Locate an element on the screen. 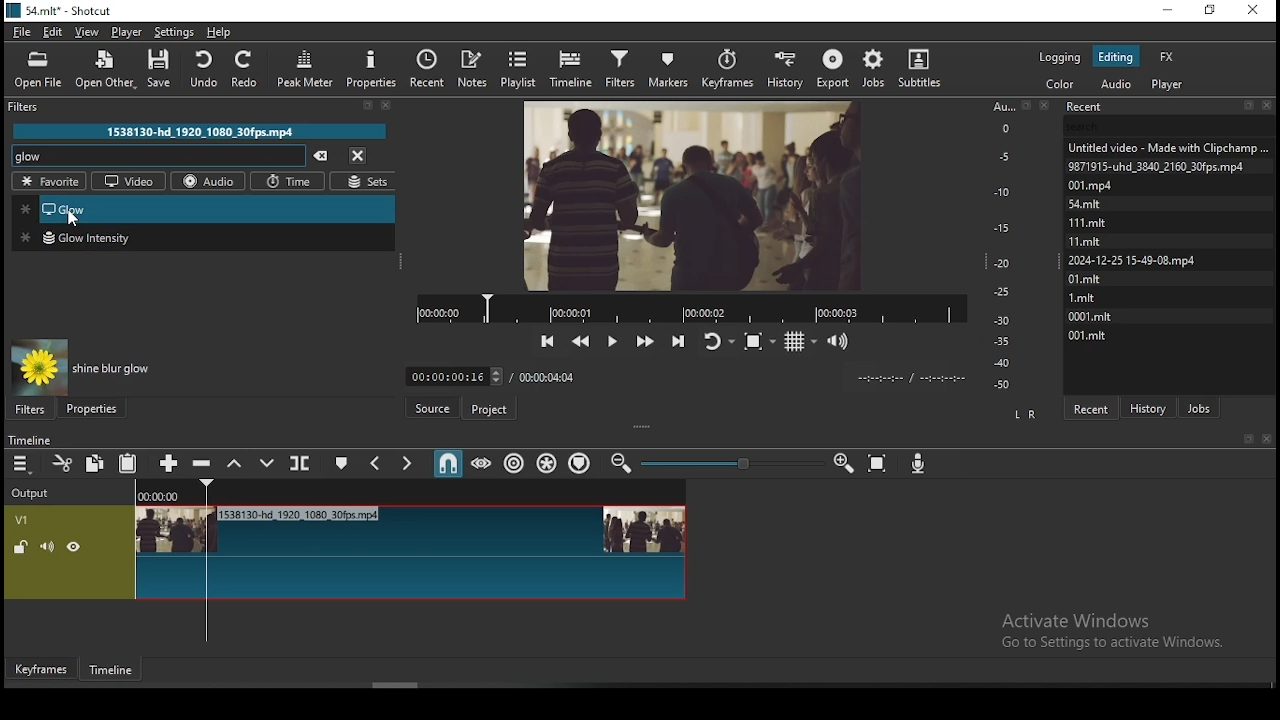 Image resolution: width=1280 pixels, height=720 pixels. video preview is located at coordinates (691, 193).